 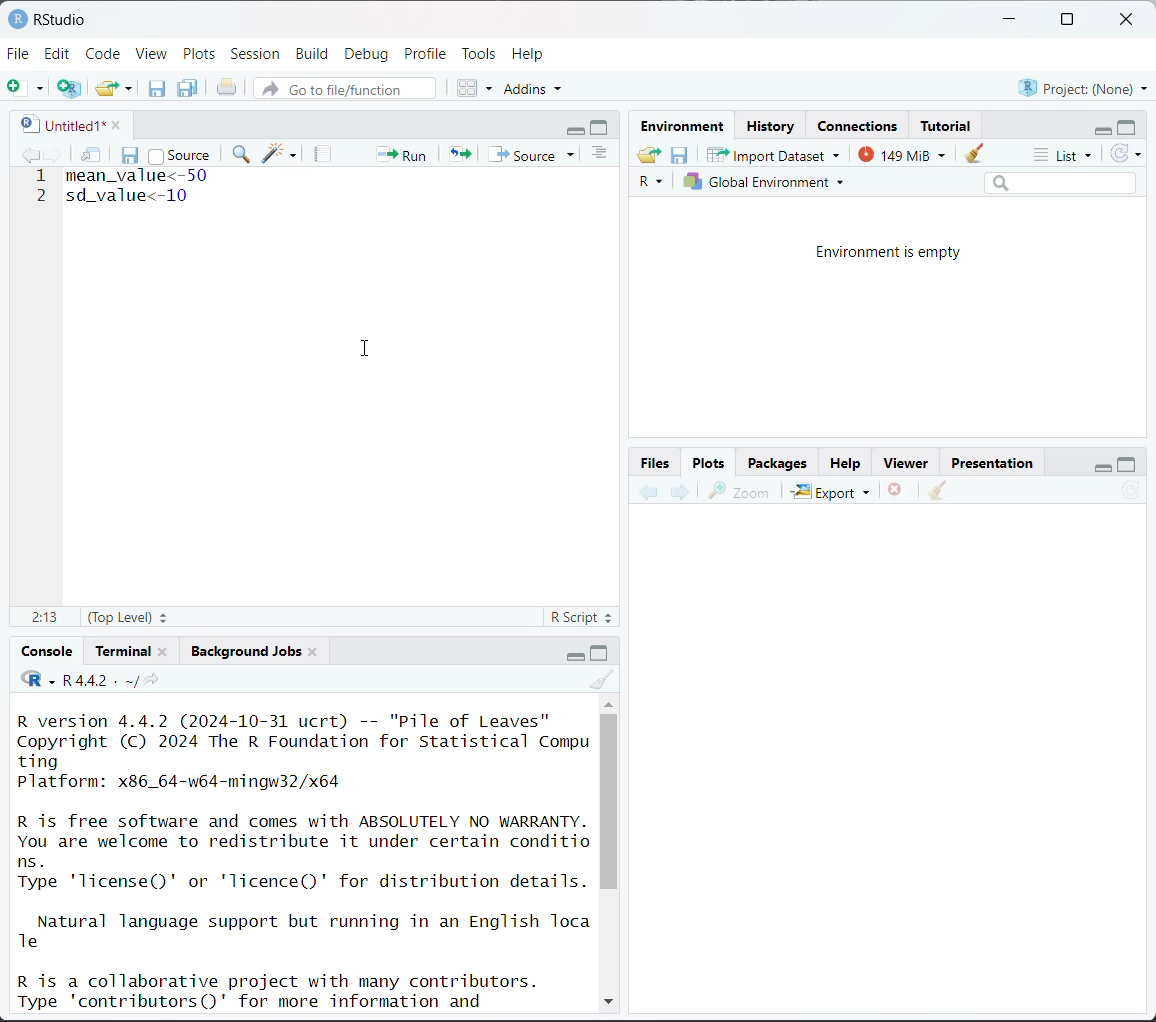 What do you see at coordinates (938, 491) in the screenshot?
I see `clear all plots` at bounding box center [938, 491].